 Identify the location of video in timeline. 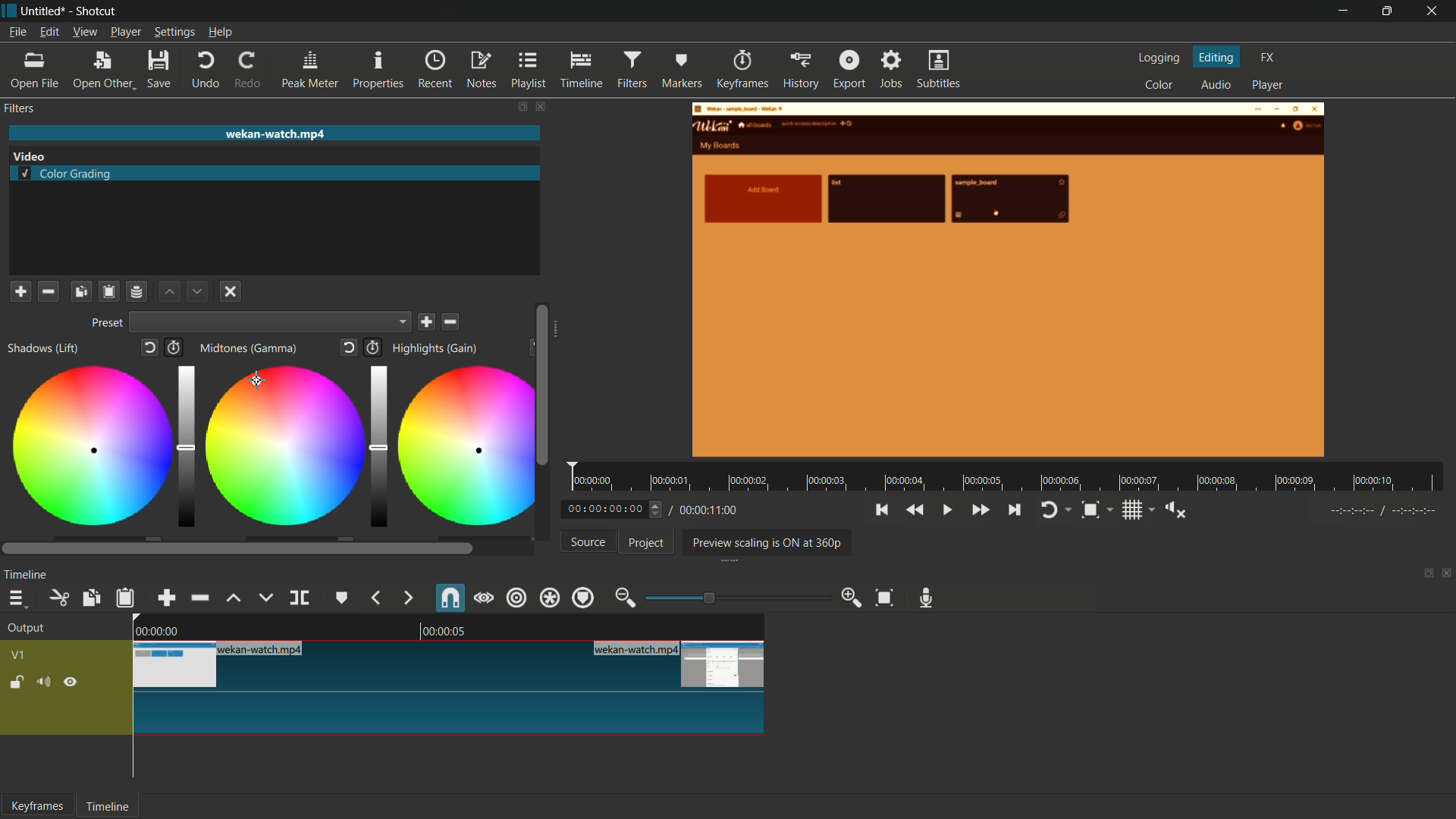
(450, 687).